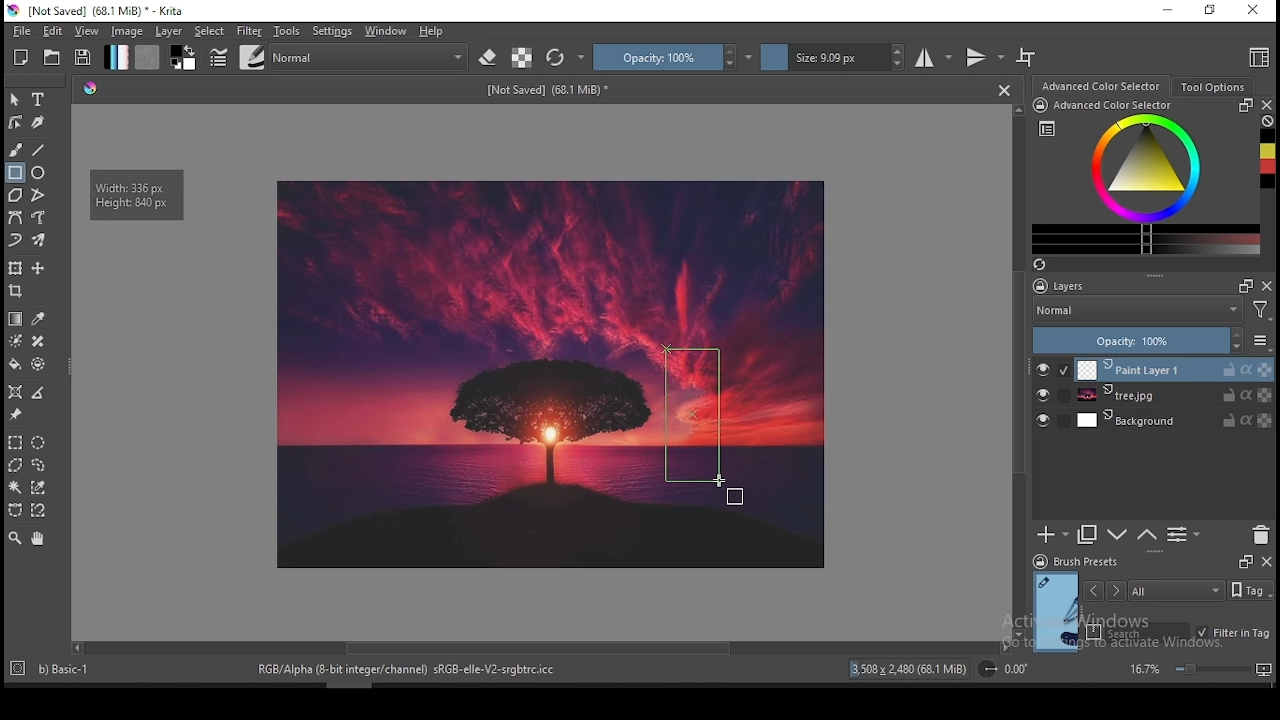 The height and width of the screenshot is (720, 1280). I want to click on file, so click(19, 32).